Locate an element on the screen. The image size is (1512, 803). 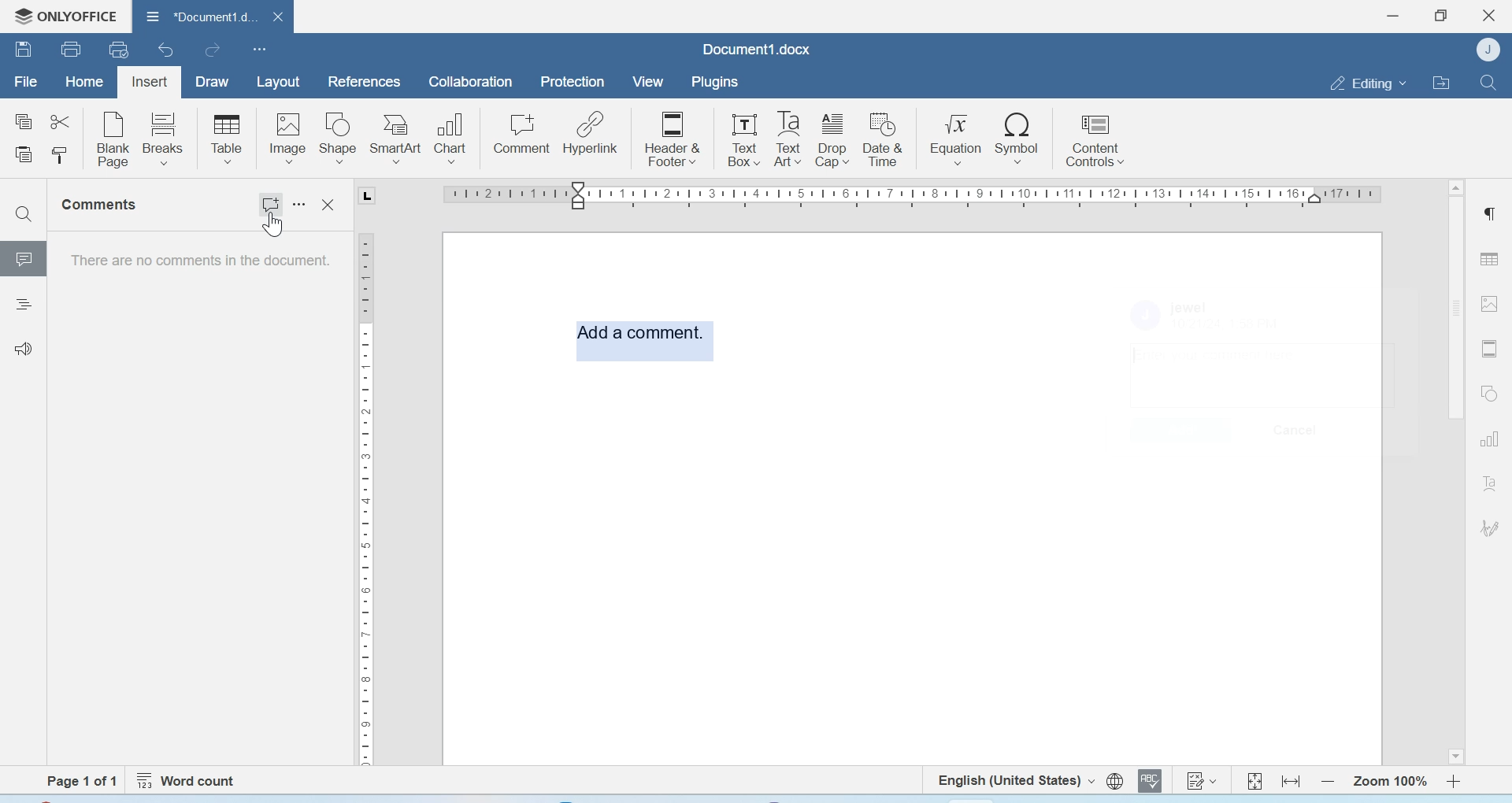
Cut is located at coordinates (59, 120).